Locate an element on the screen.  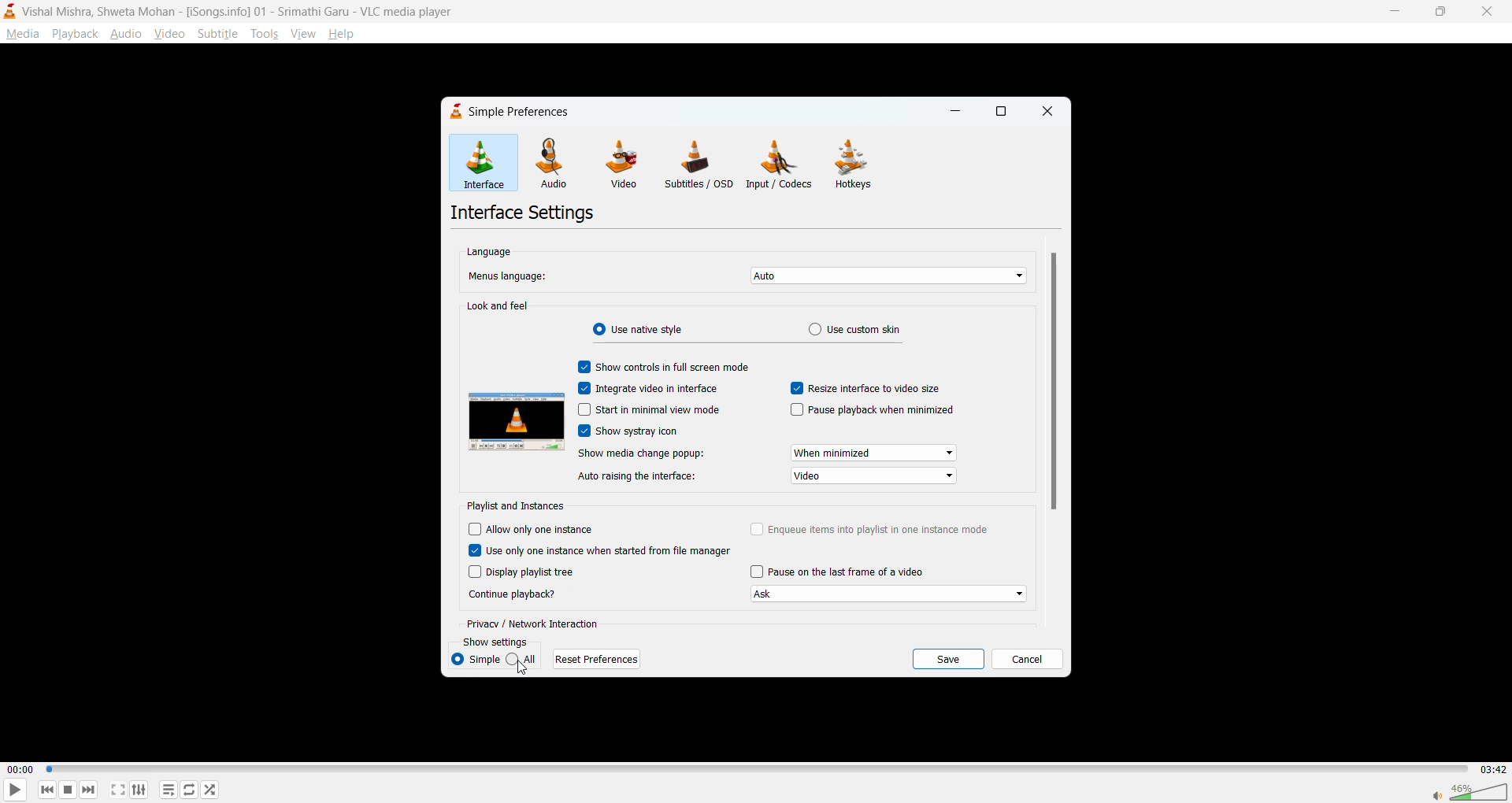
fullscreen is located at coordinates (118, 790).